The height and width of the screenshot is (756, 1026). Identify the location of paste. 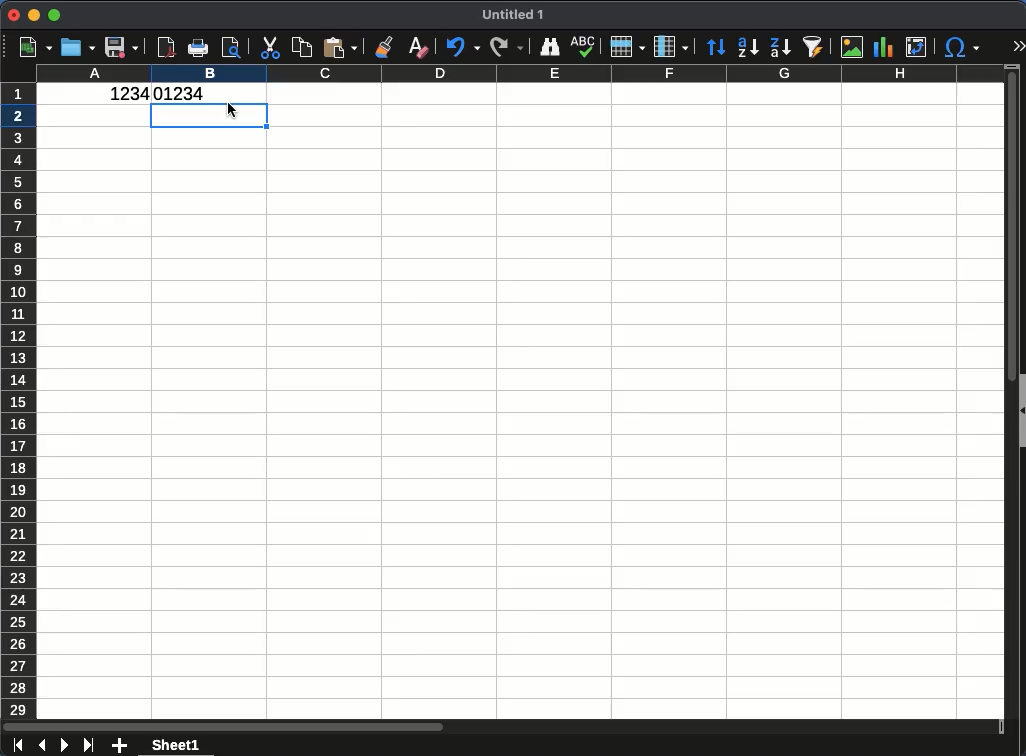
(340, 47).